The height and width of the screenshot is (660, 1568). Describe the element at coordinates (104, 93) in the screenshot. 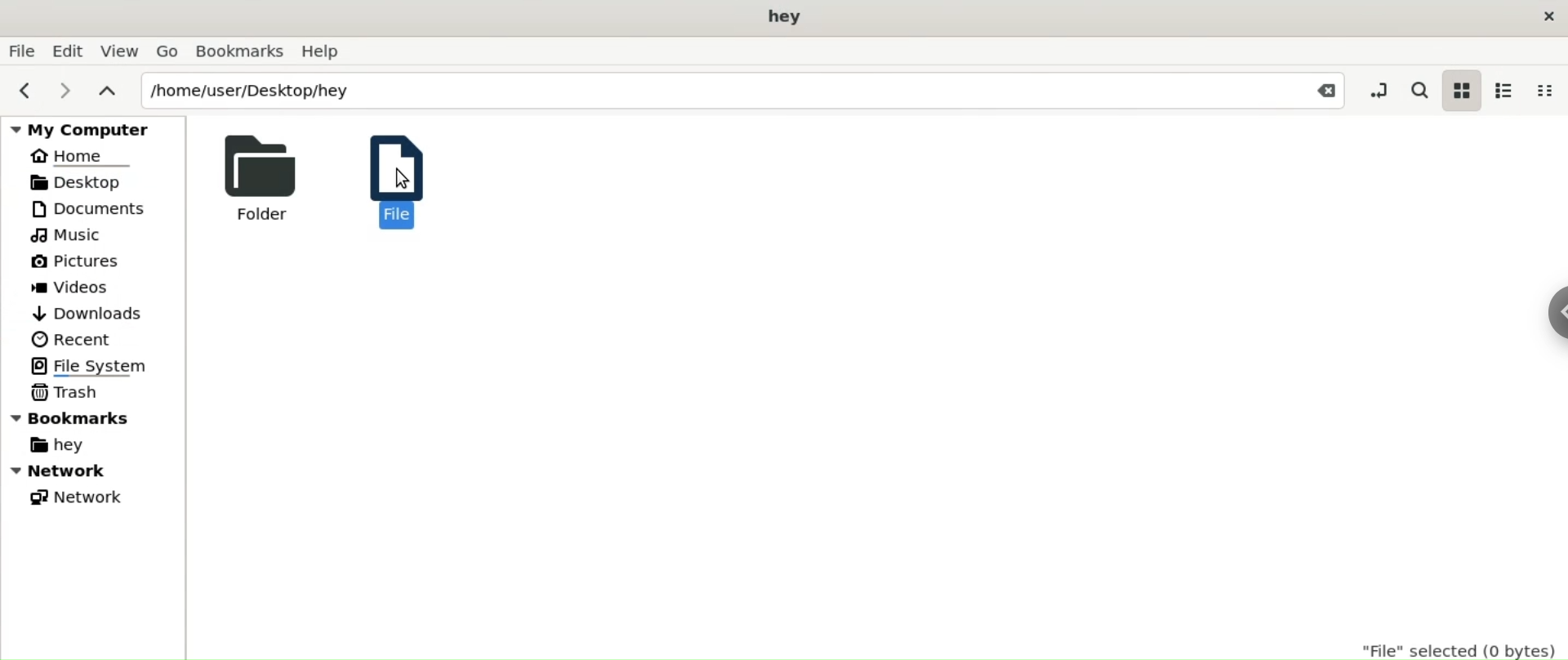

I see `parent folders` at that location.